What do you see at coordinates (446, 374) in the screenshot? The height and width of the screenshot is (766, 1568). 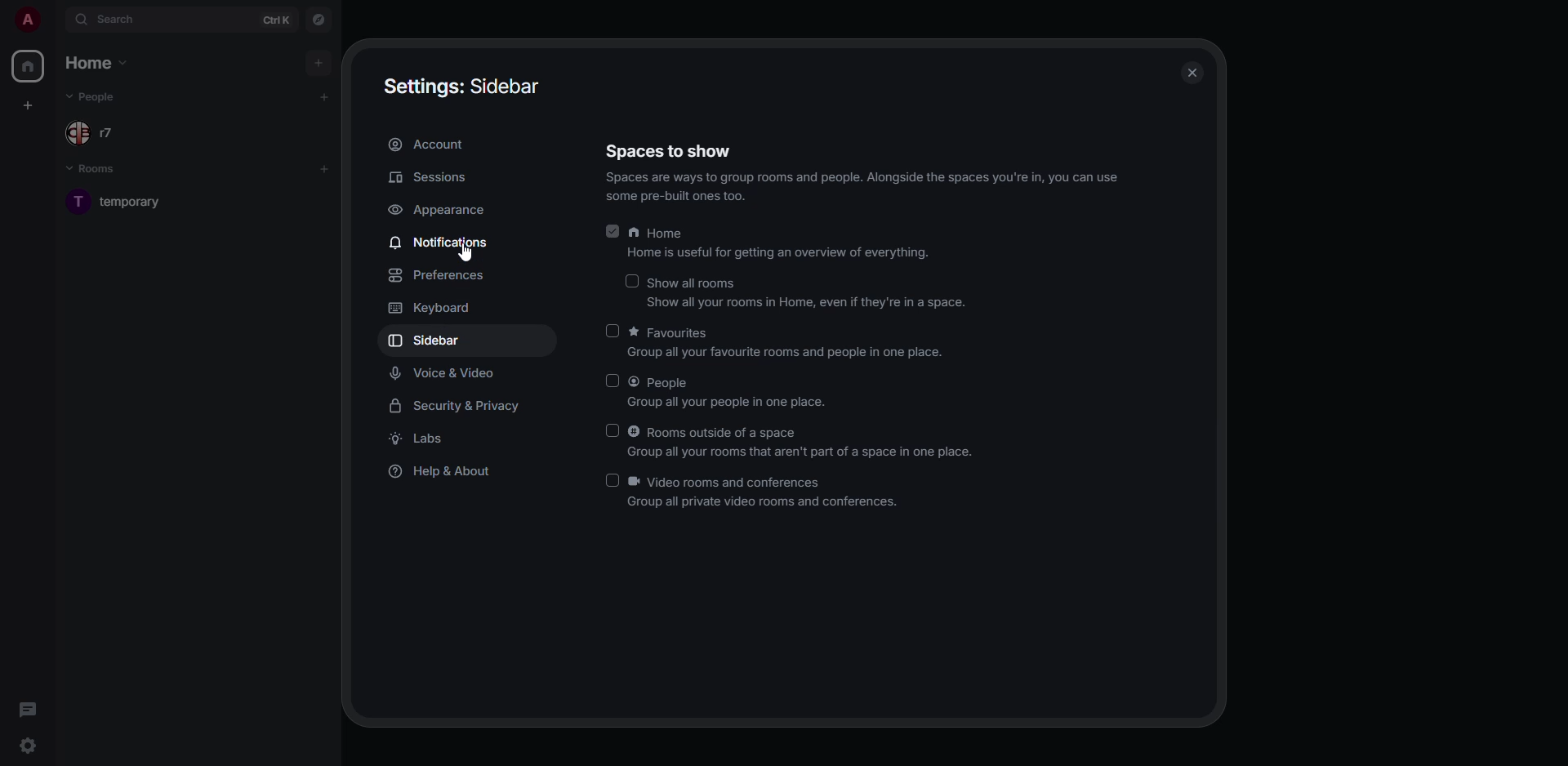 I see `voice & video` at bounding box center [446, 374].